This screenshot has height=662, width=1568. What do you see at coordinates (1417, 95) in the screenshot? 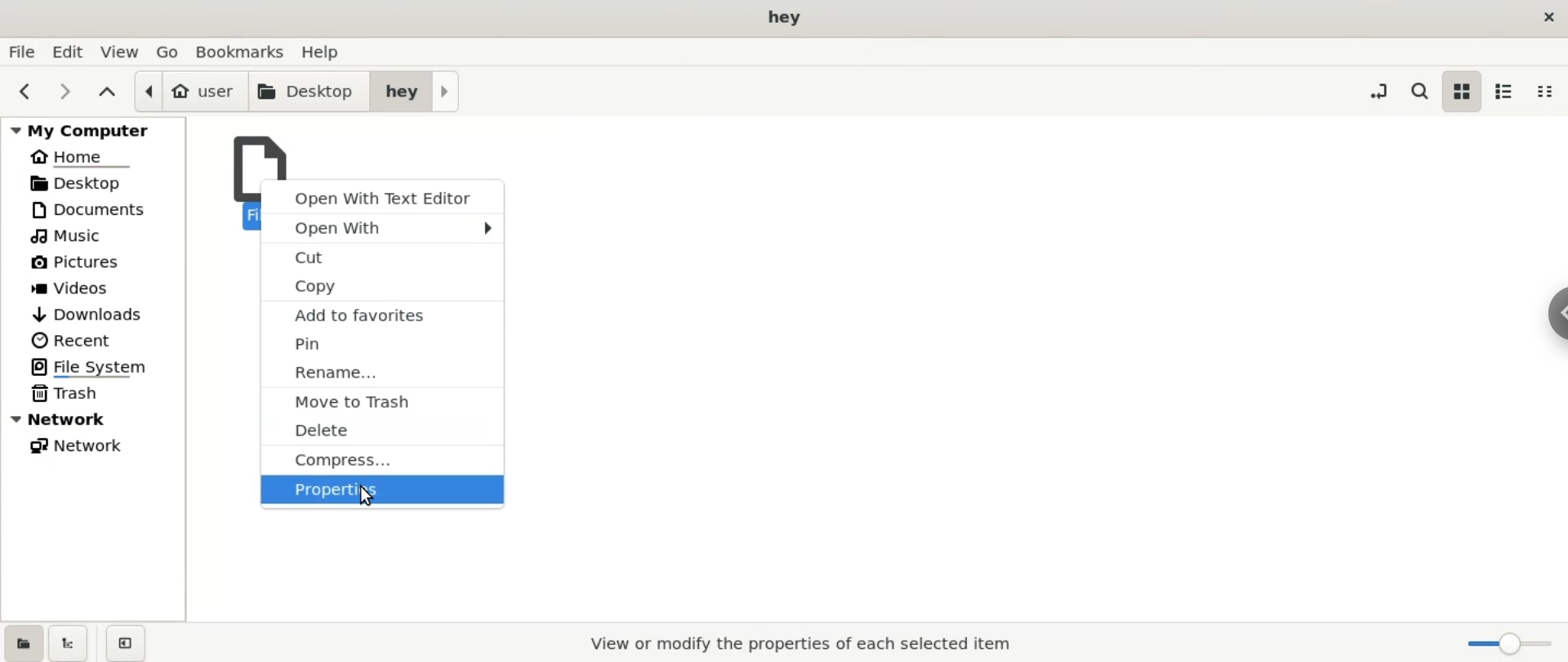
I see `search` at bounding box center [1417, 95].